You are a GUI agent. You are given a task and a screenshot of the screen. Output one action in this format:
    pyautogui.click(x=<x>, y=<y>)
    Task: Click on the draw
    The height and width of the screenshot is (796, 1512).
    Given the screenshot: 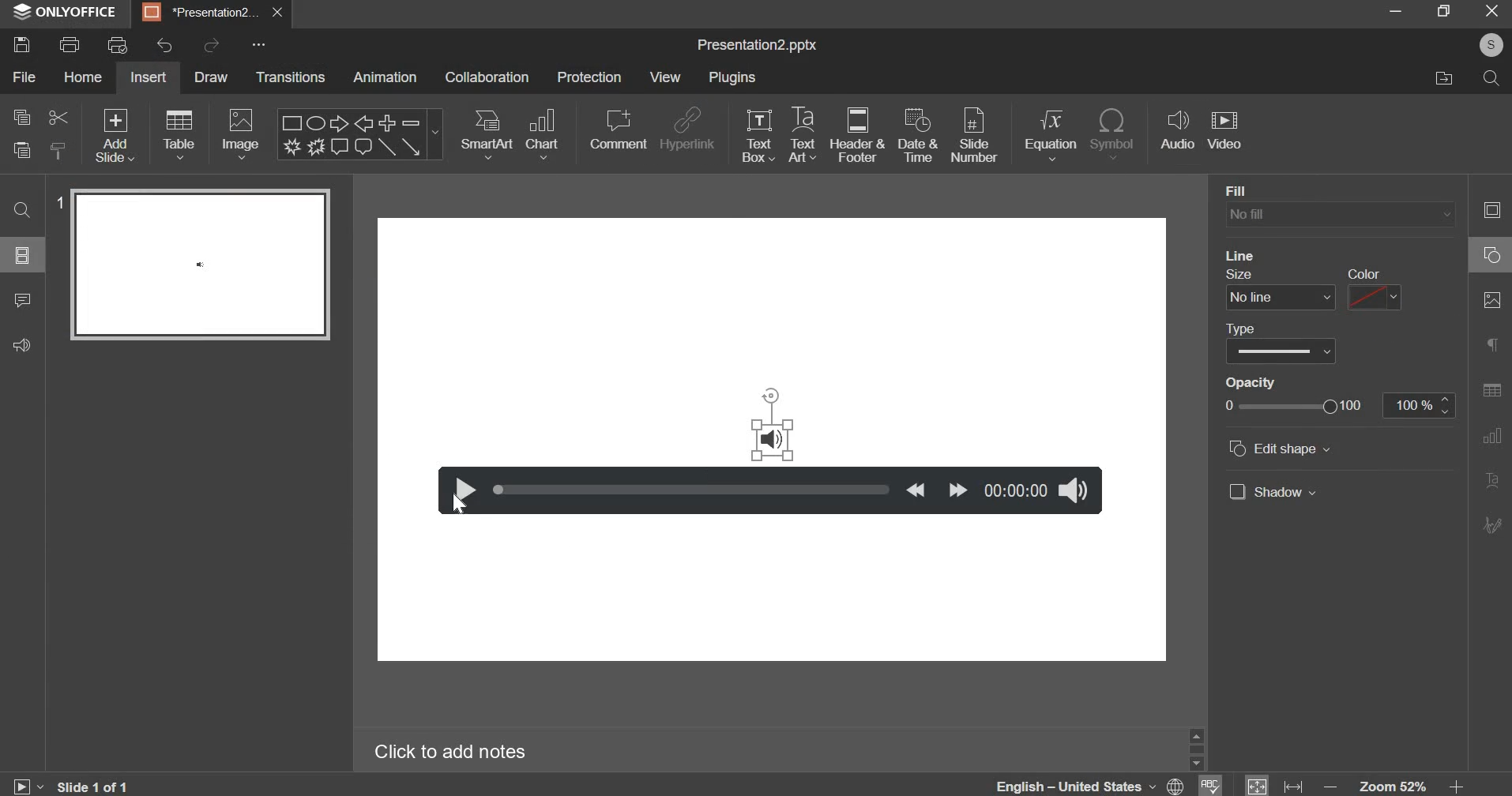 What is the action you would take?
    pyautogui.click(x=208, y=76)
    